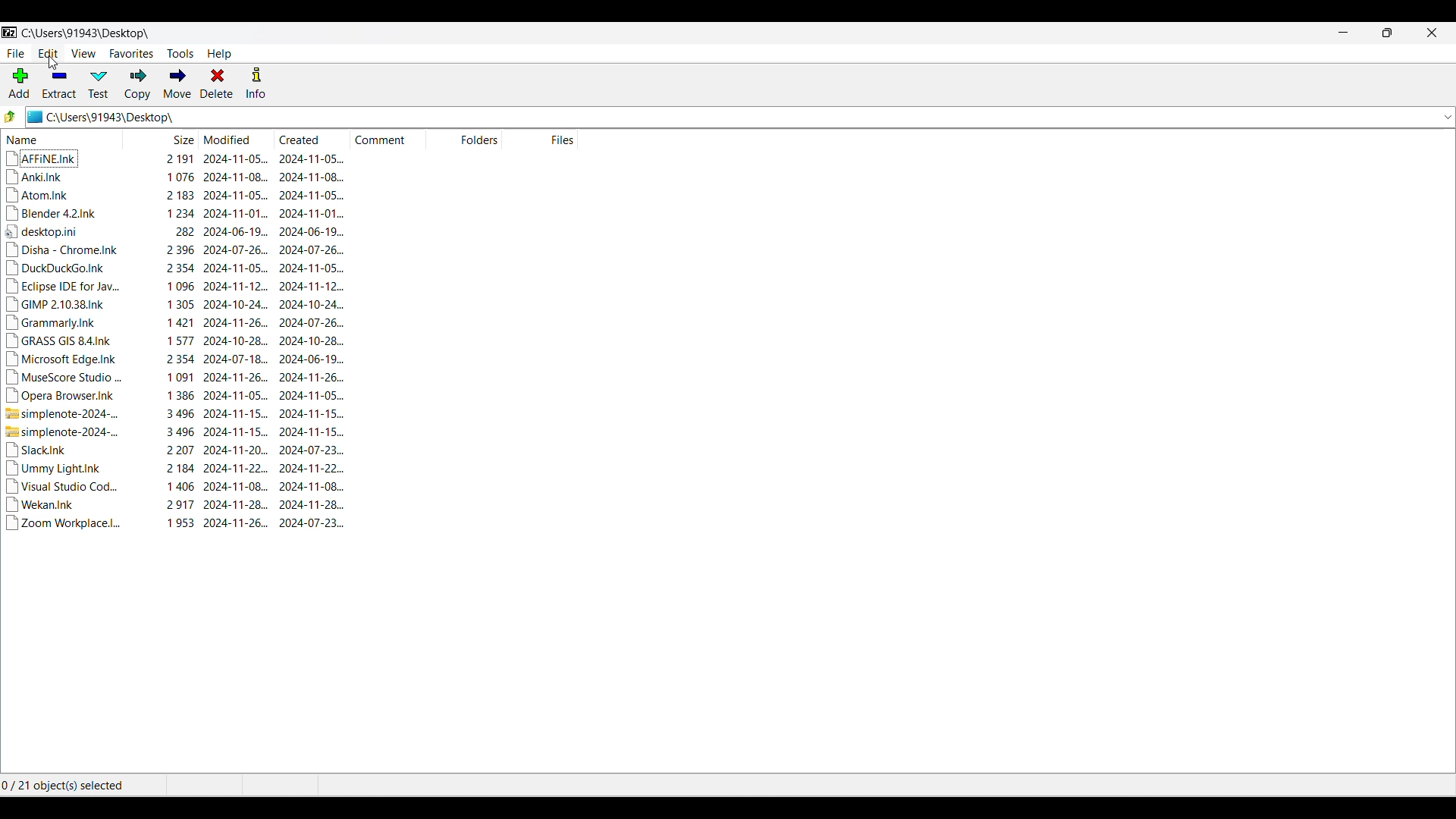 This screenshot has width=1456, height=819. I want to click on Number of objects selected out of the total number of objects in the folder, so click(82, 785).